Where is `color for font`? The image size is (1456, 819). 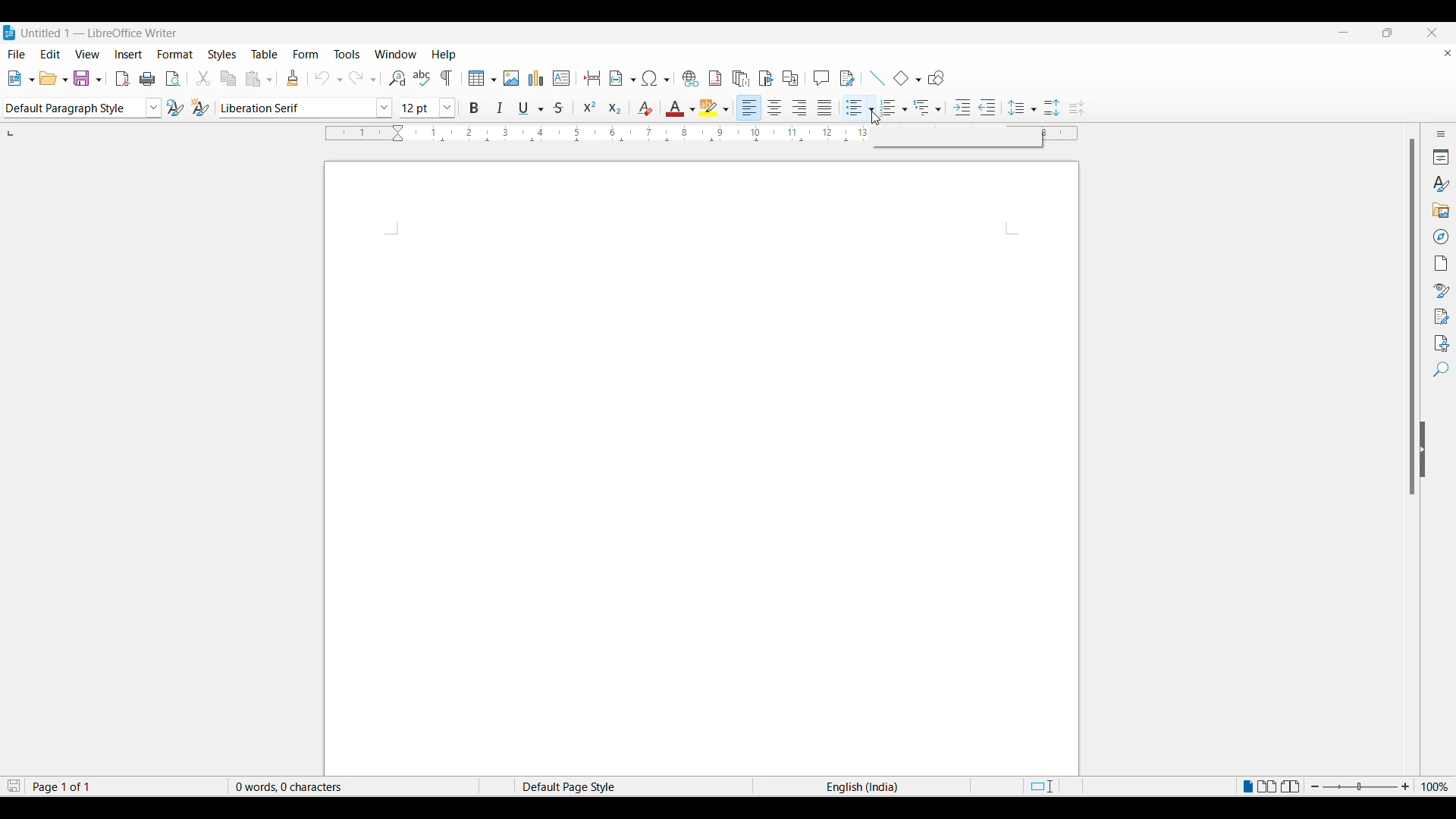 color for font is located at coordinates (679, 108).